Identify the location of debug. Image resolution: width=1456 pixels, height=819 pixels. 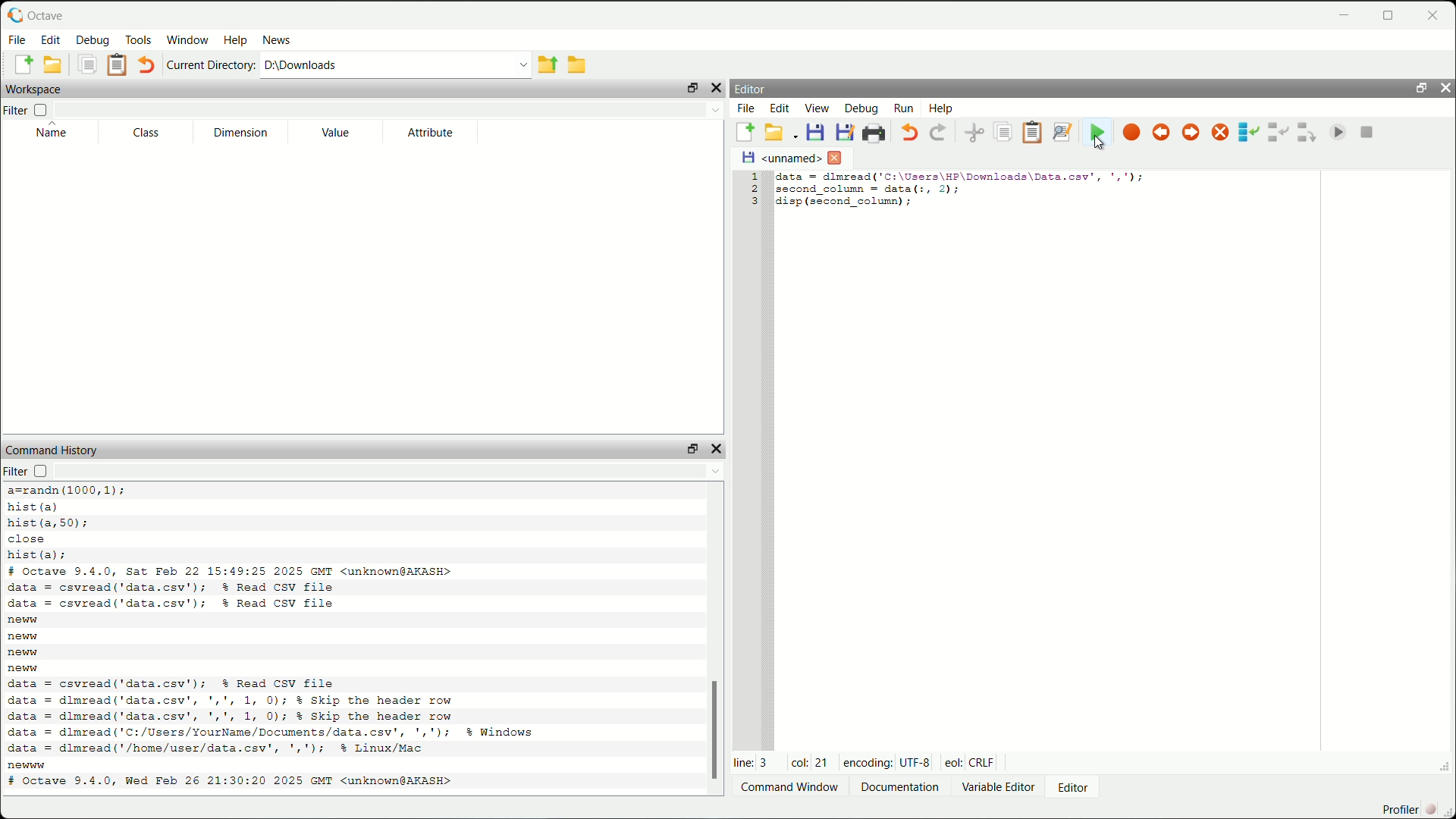
(95, 41).